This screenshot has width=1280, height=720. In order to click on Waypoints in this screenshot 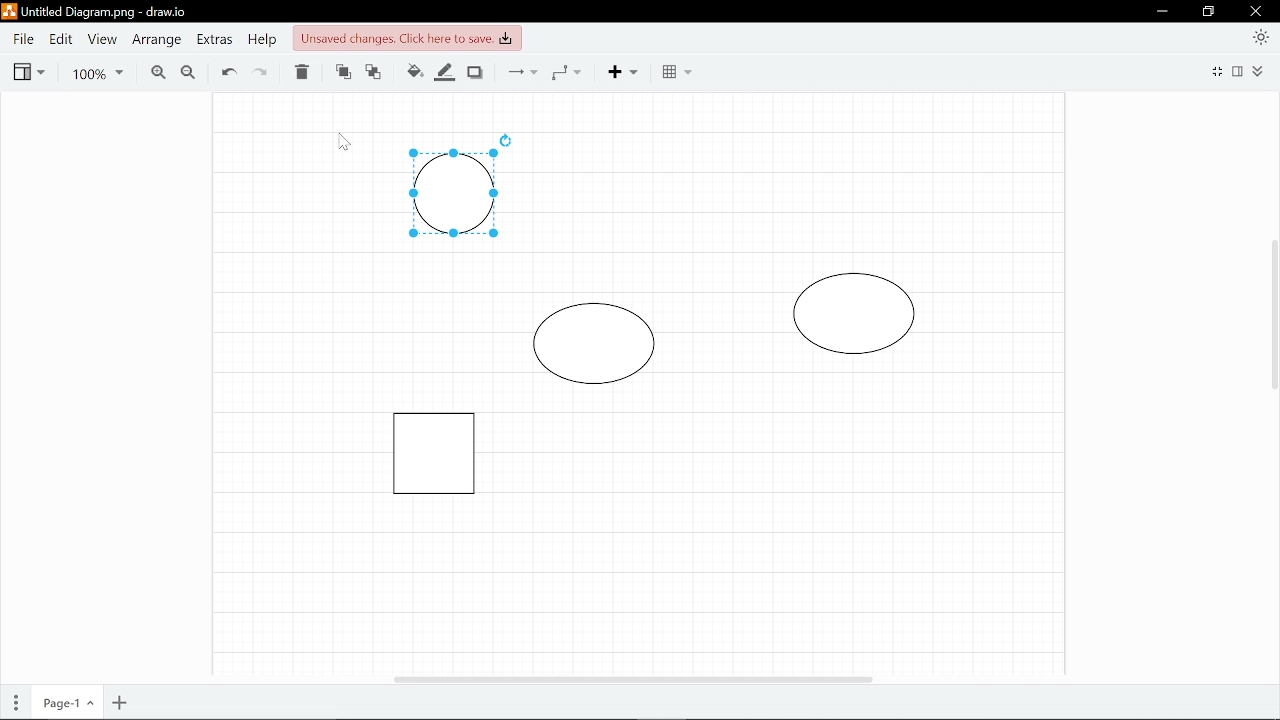, I will do `click(572, 71)`.